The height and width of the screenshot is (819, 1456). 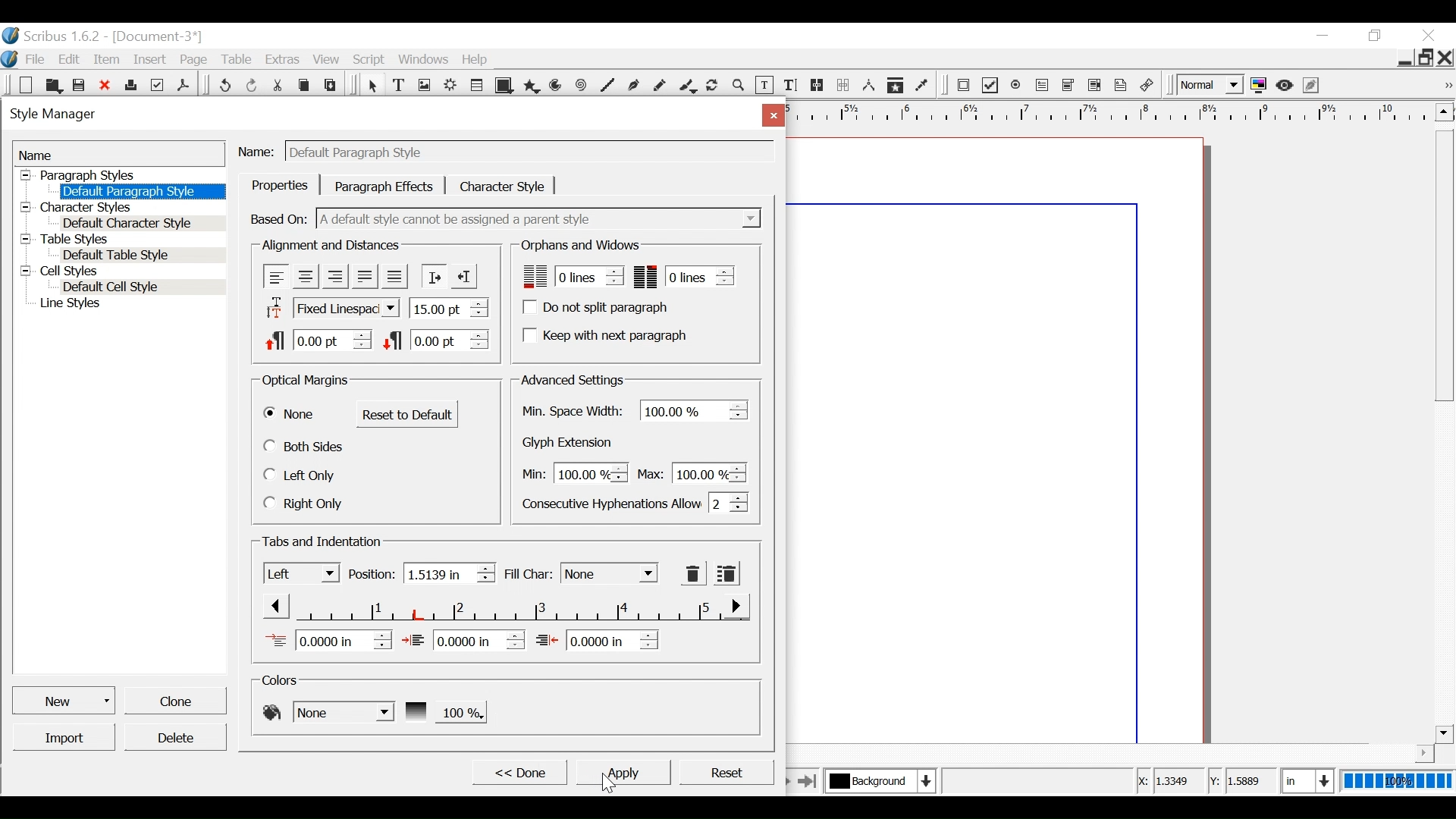 What do you see at coordinates (963, 84) in the screenshot?
I see `PDF Push Button` at bounding box center [963, 84].